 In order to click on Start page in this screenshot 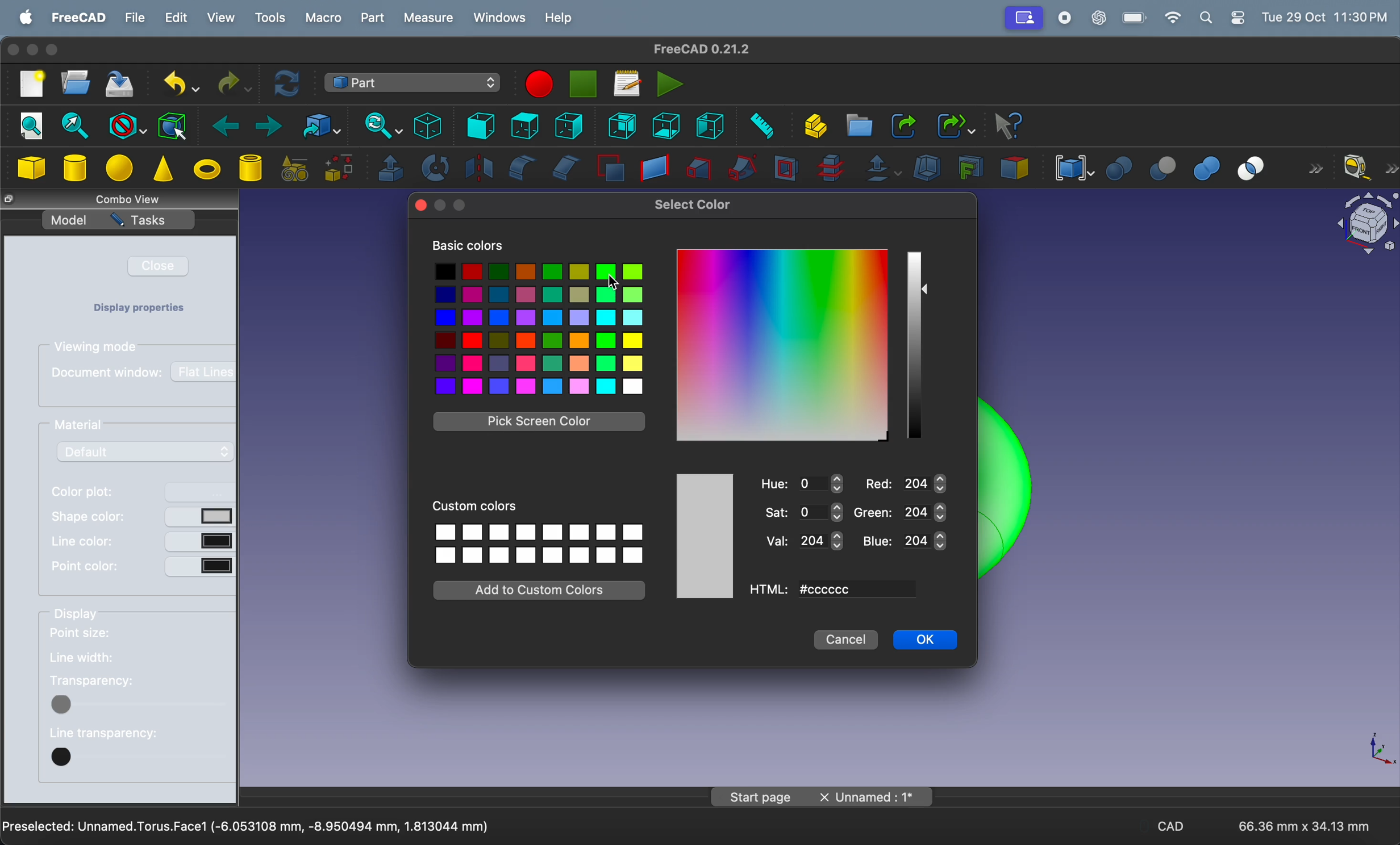, I will do `click(756, 797)`.